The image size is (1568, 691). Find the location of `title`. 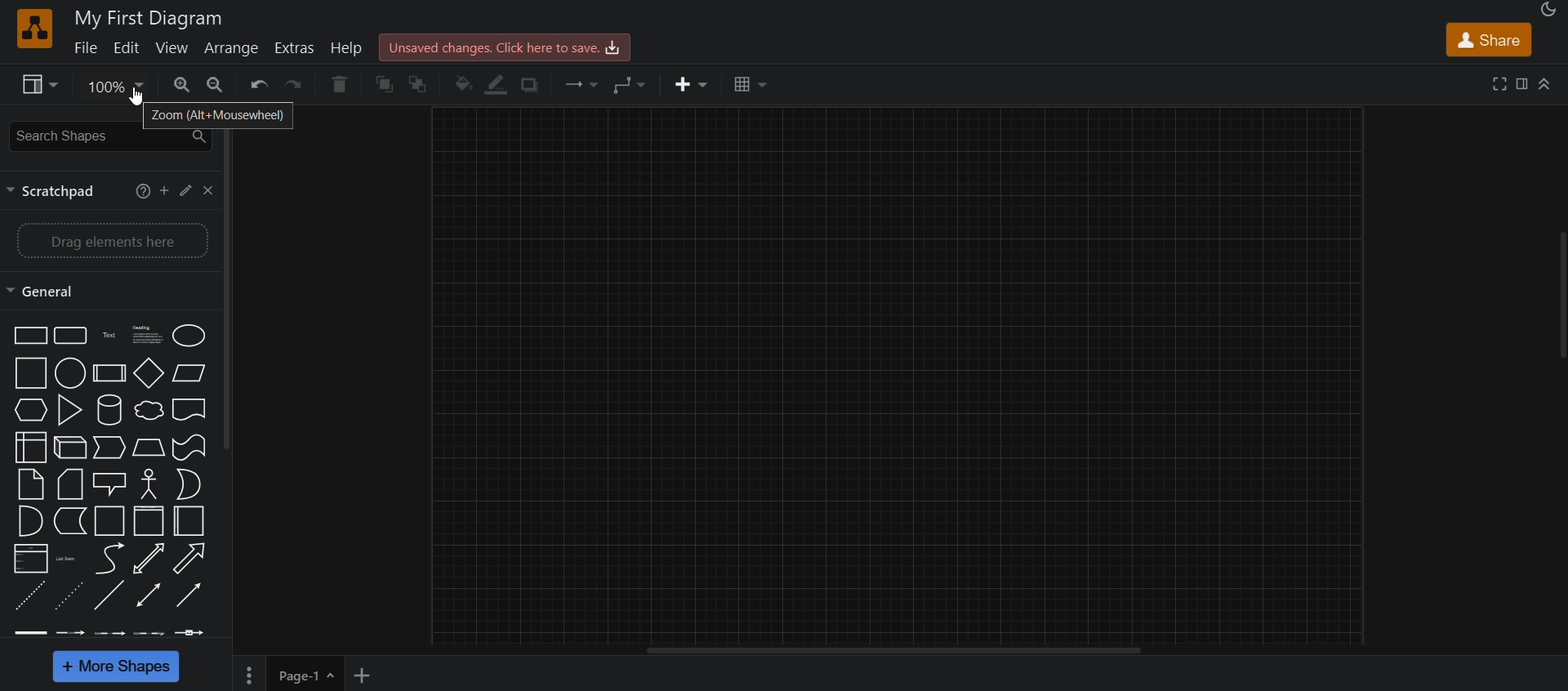

title is located at coordinates (150, 16).